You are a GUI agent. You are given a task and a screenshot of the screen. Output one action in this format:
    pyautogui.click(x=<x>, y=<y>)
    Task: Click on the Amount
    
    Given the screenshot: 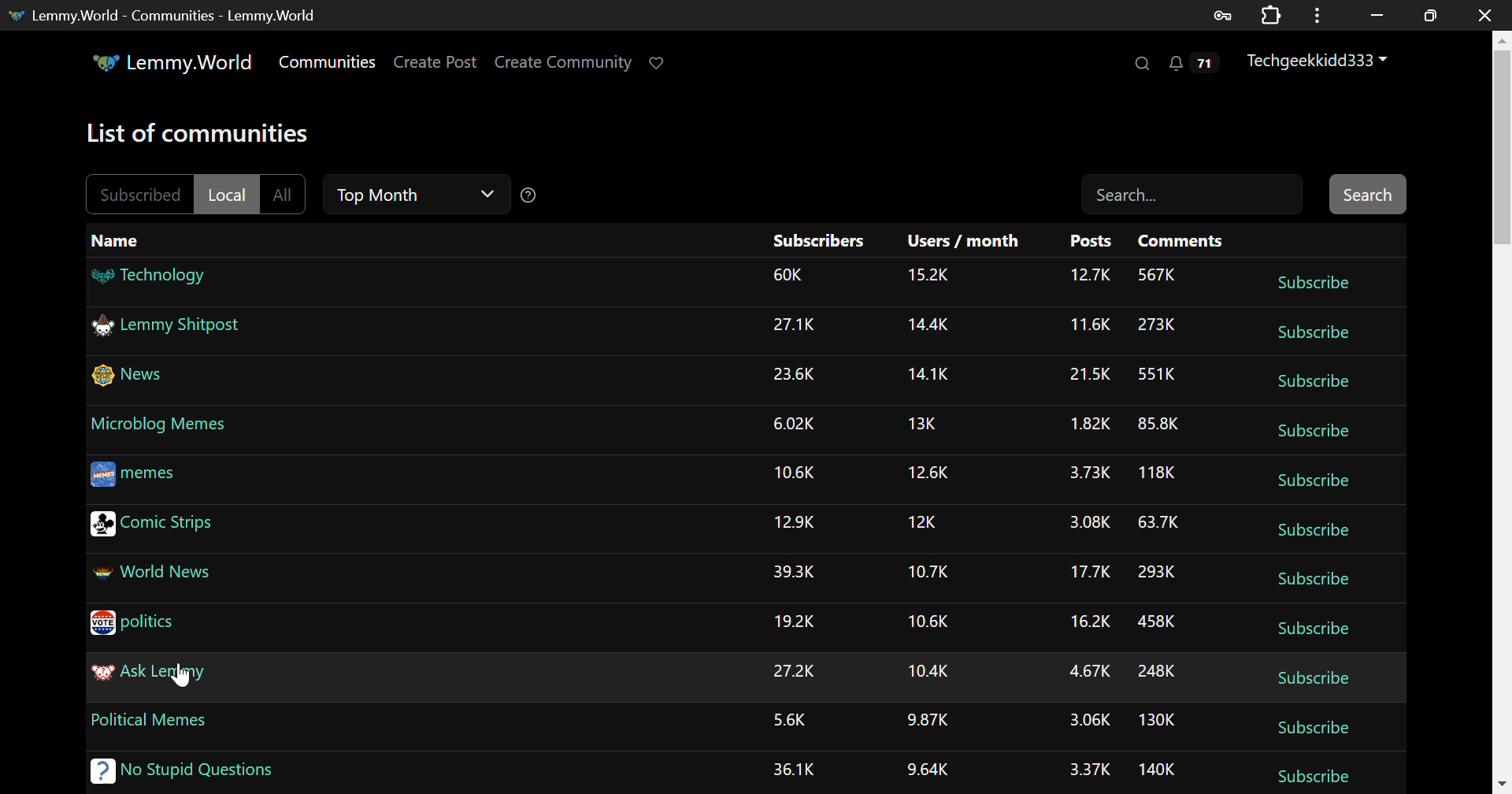 What is the action you would take?
    pyautogui.click(x=794, y=570)
    